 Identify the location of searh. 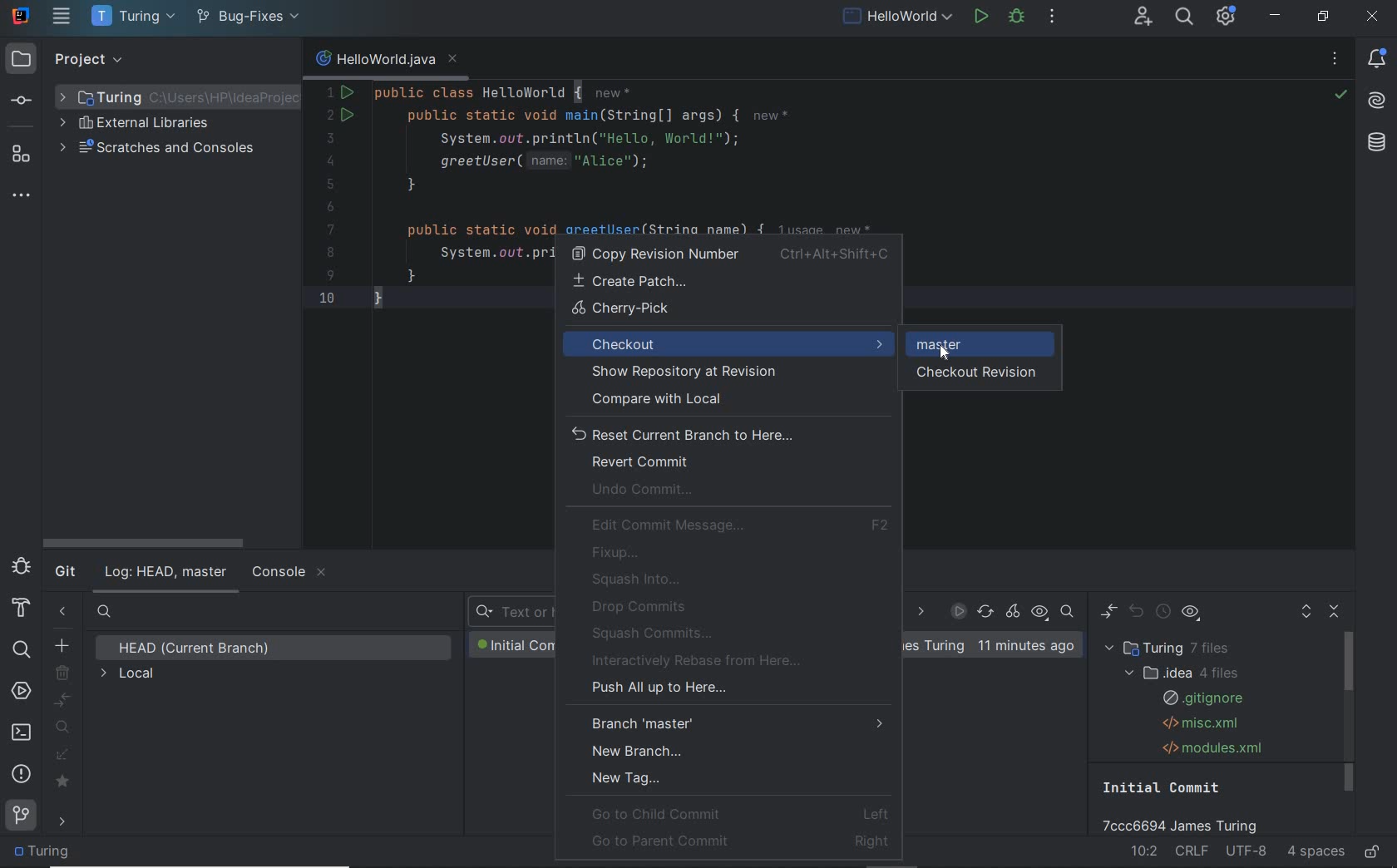
(105, 614).